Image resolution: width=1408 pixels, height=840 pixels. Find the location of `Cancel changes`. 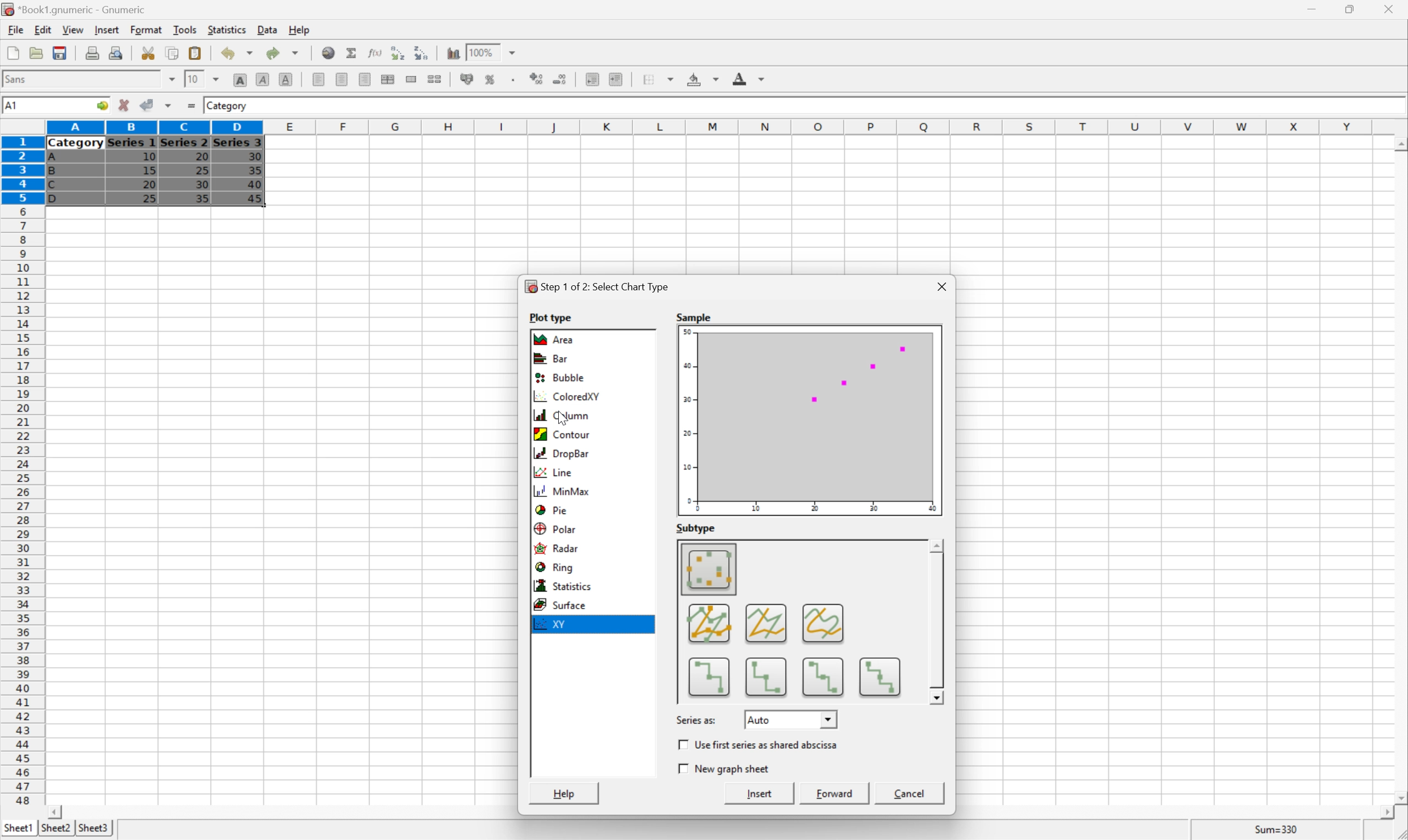

Cancel changes is located at coordinates (124, 103).